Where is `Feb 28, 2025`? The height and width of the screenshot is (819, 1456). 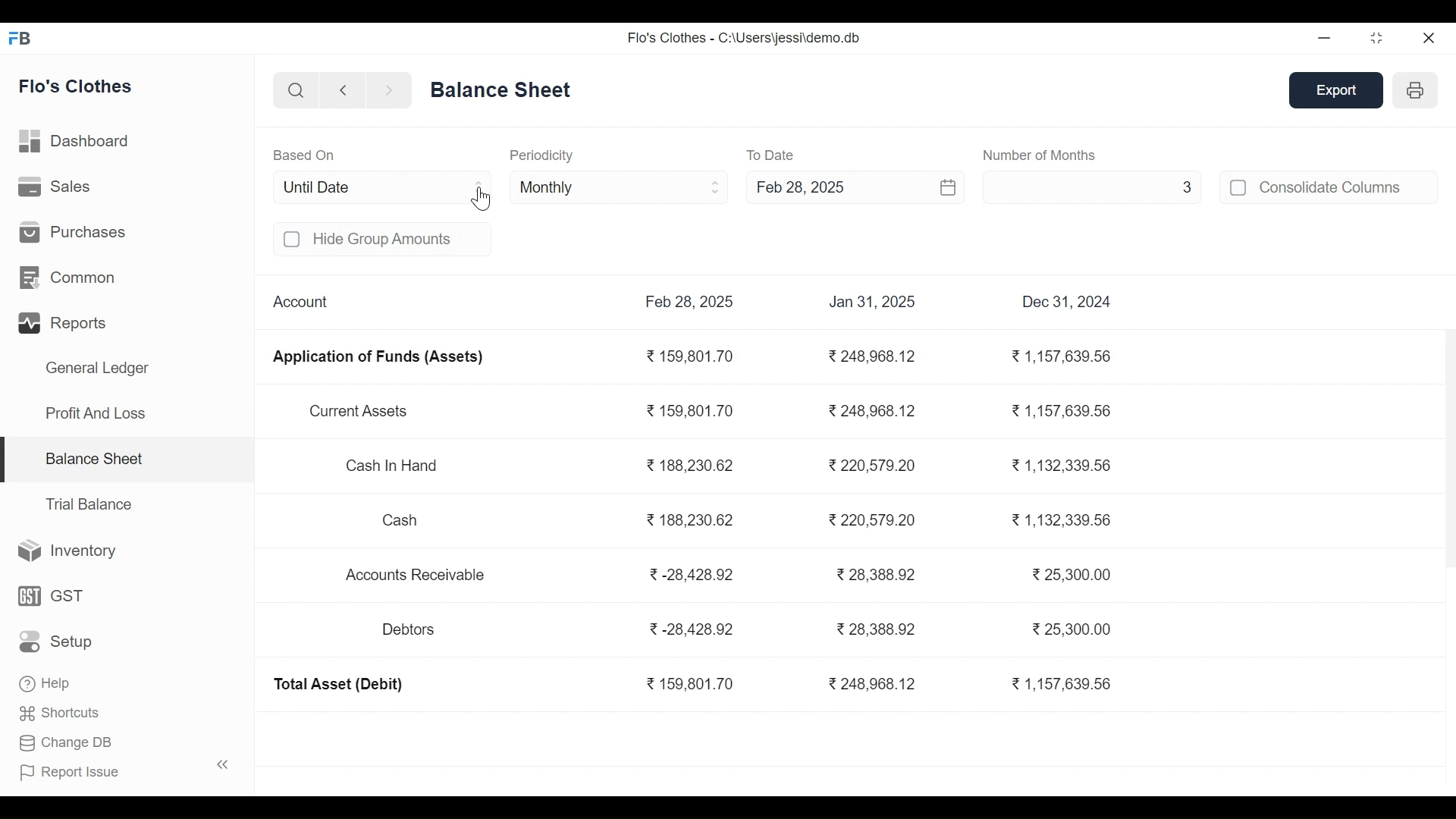 Feb 28, 2025 is located at coordinates (690, 301).